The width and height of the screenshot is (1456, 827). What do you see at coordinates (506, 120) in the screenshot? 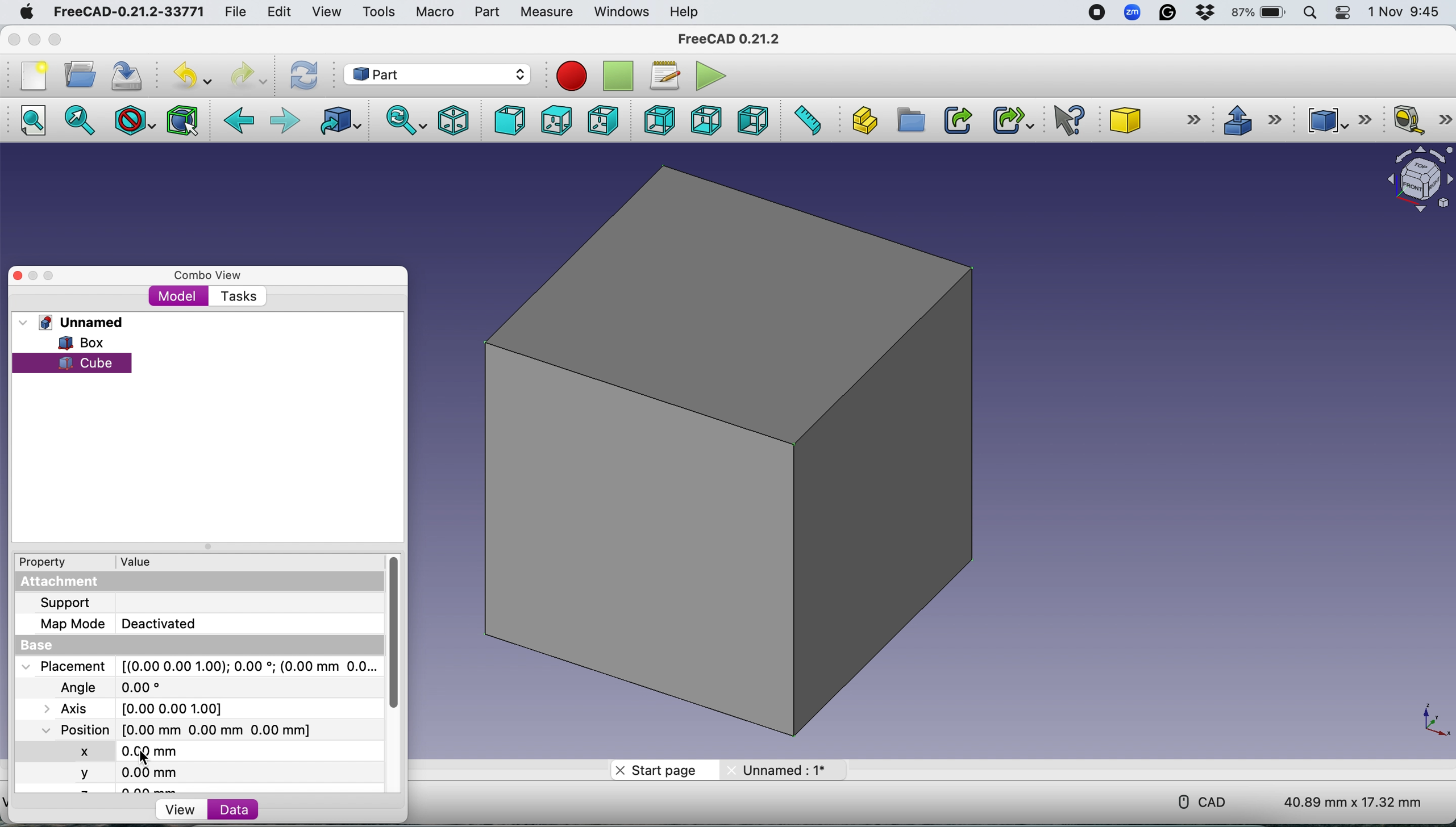
I see `Front` at bounding box center [506, 120].